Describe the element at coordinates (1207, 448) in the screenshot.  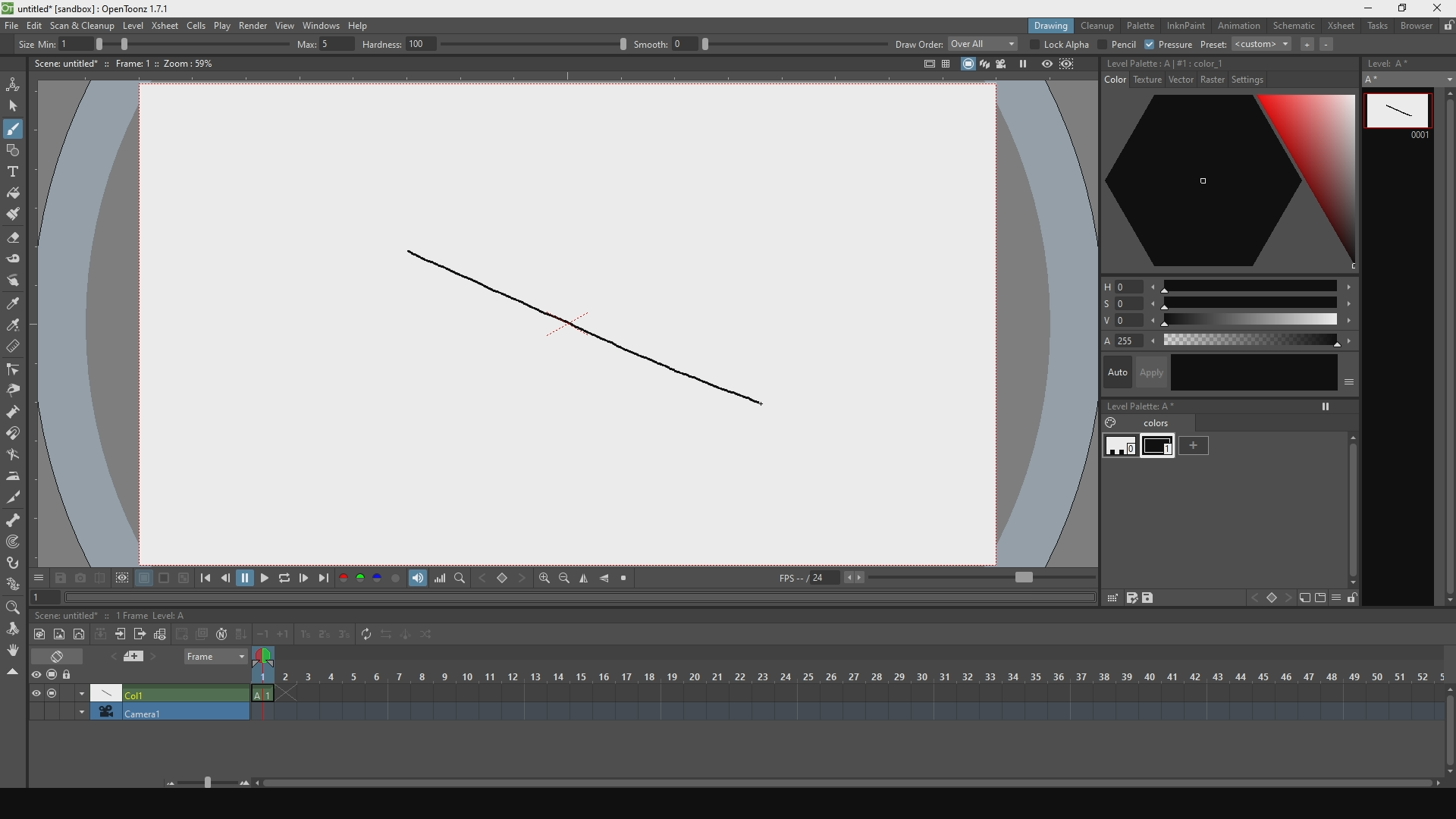
I see `add` at that location.